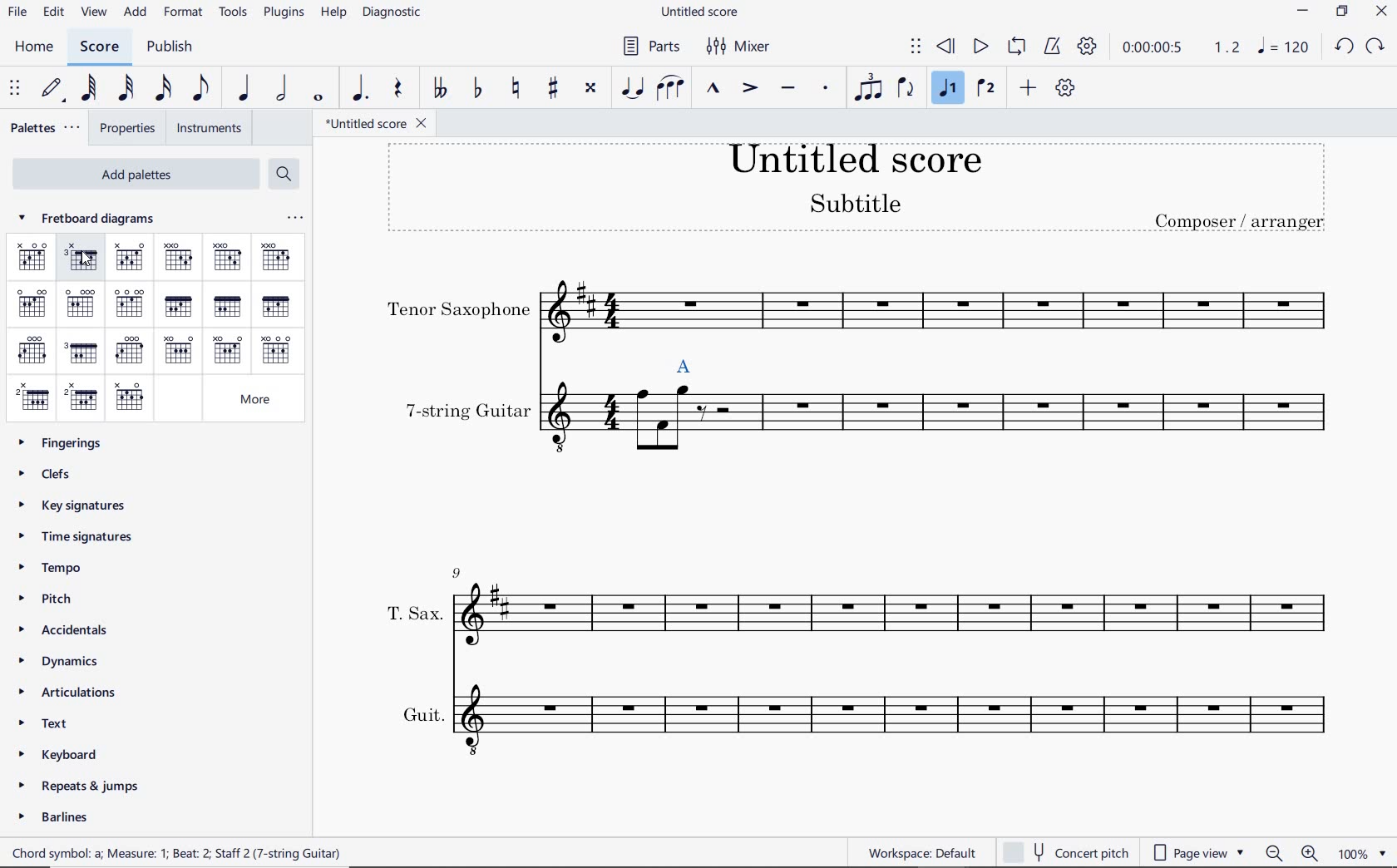 The image size is (1397, 868). What do you see at coordinates (516, 89) in the screenshot?
I see `TOGGLE NATURAL` at bounding box center [516, 89].